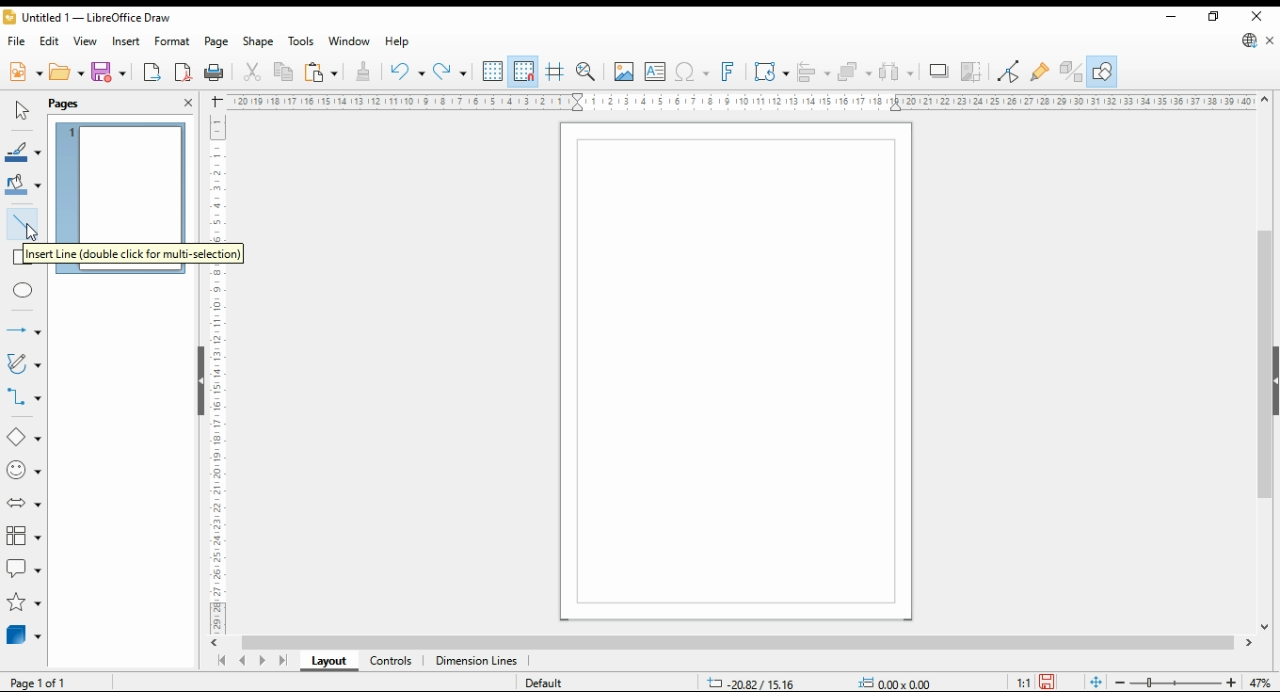  What do you see at coordinates (892, 683) in the screenshot?
I see `` at bounding box center [892, 683].